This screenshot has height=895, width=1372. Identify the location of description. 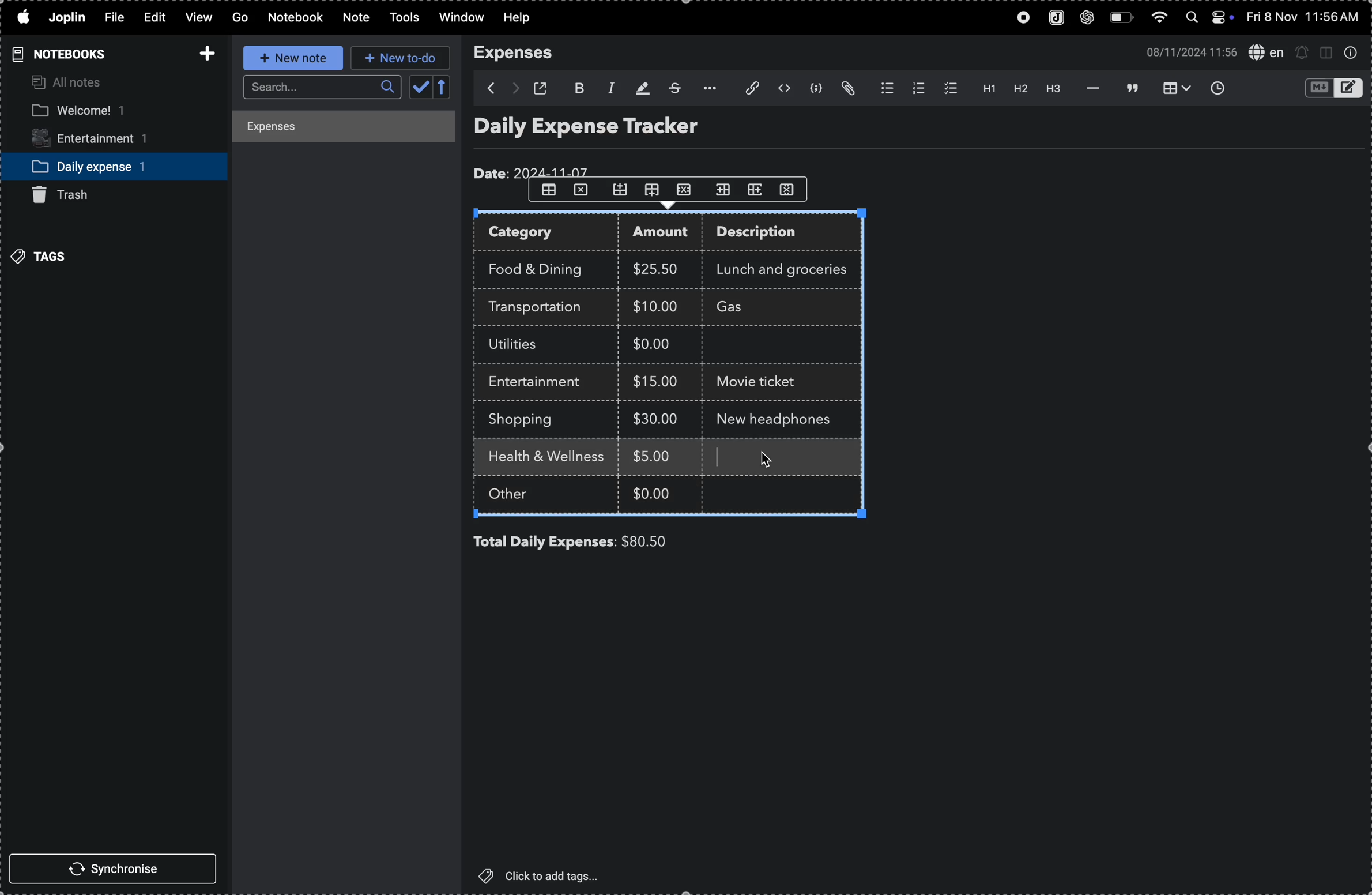
(768, 234).